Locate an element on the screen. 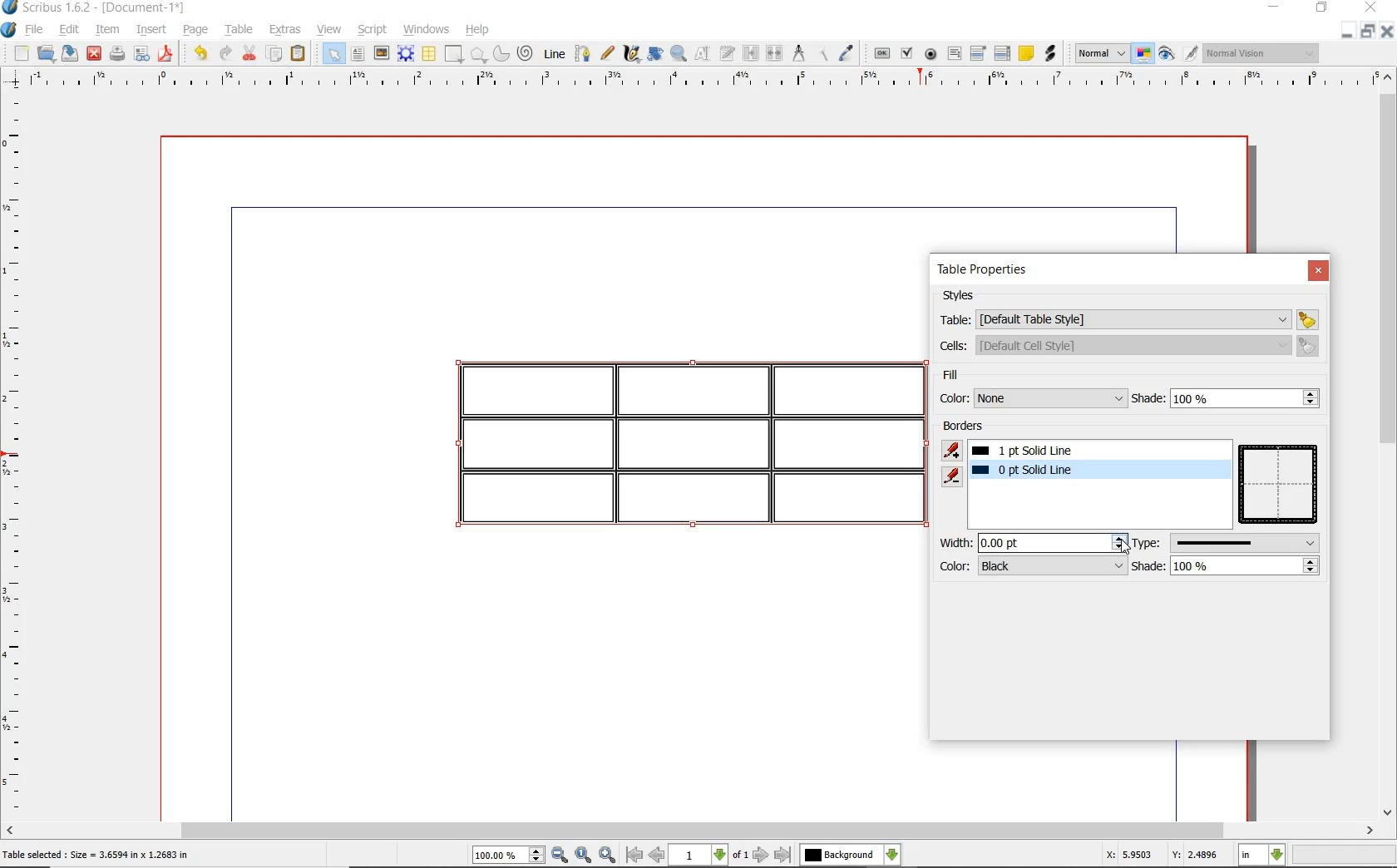  insert is located at coordinates (155, 28).